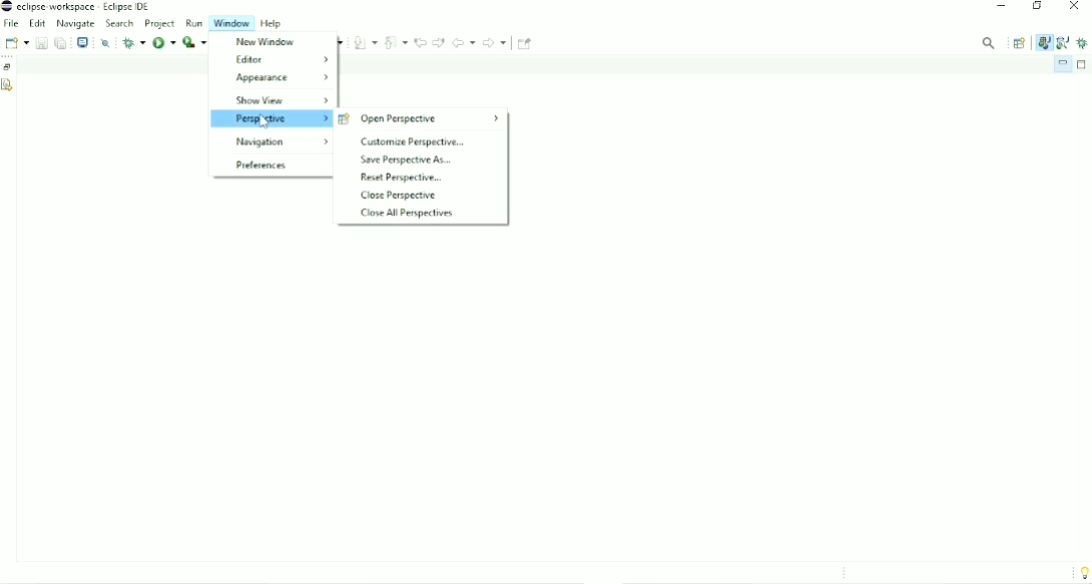  What do you see at coordinates (406, 213) in the screenshot?
I see `Close All Perspectives` at bounding box center [406, 213].